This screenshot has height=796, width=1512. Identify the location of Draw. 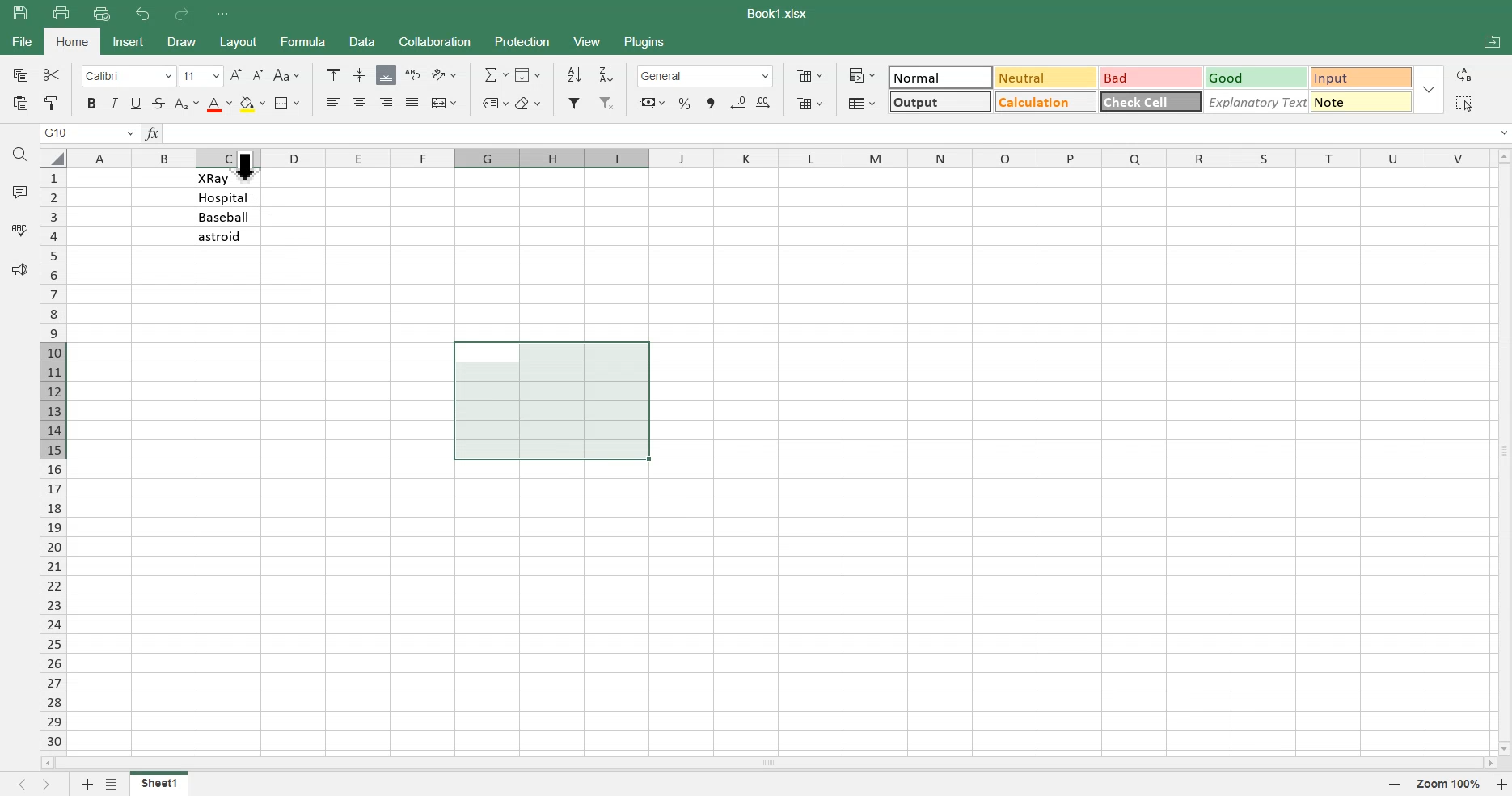
(179, 41).